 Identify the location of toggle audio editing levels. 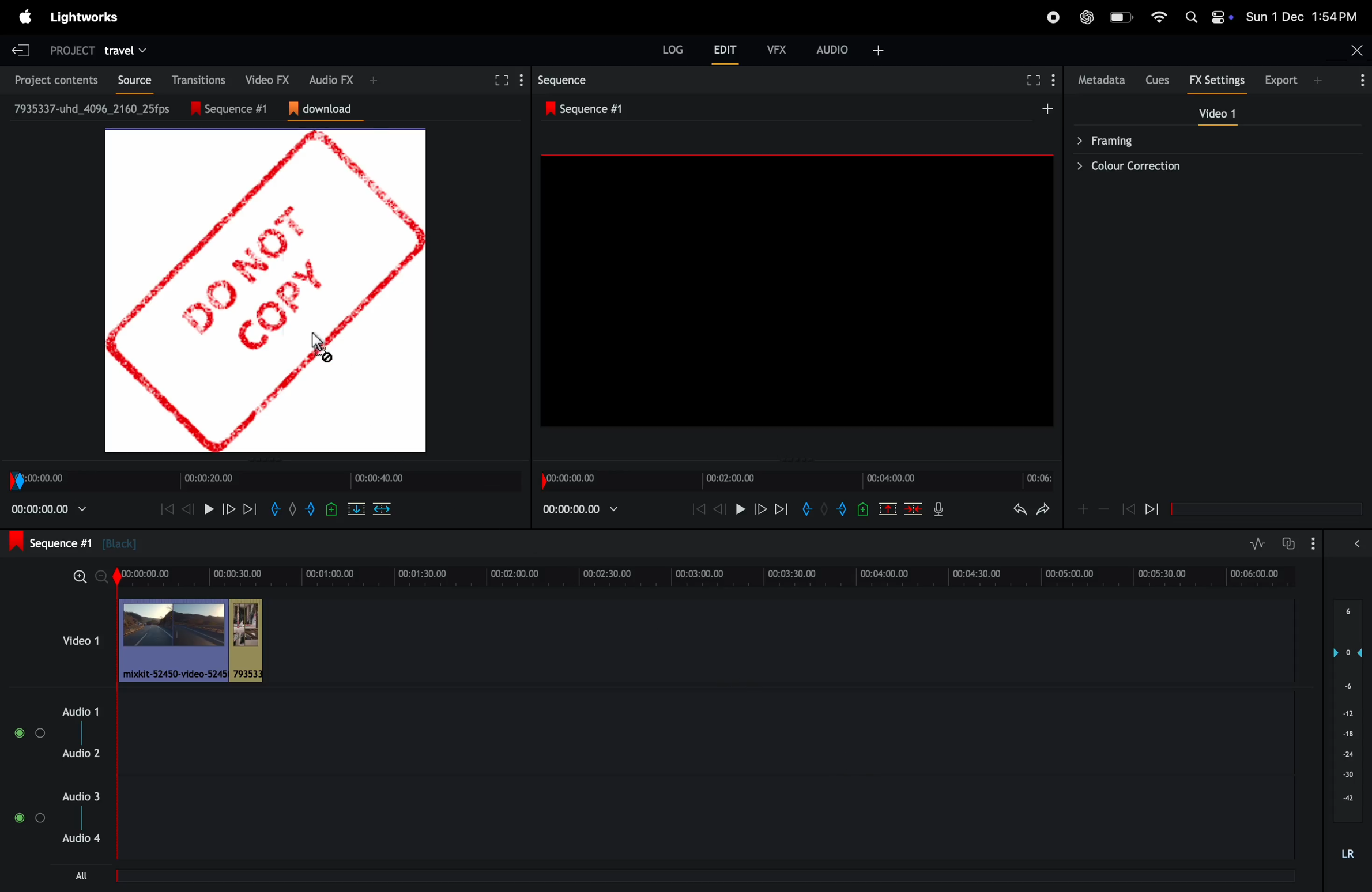
(1257, 543).